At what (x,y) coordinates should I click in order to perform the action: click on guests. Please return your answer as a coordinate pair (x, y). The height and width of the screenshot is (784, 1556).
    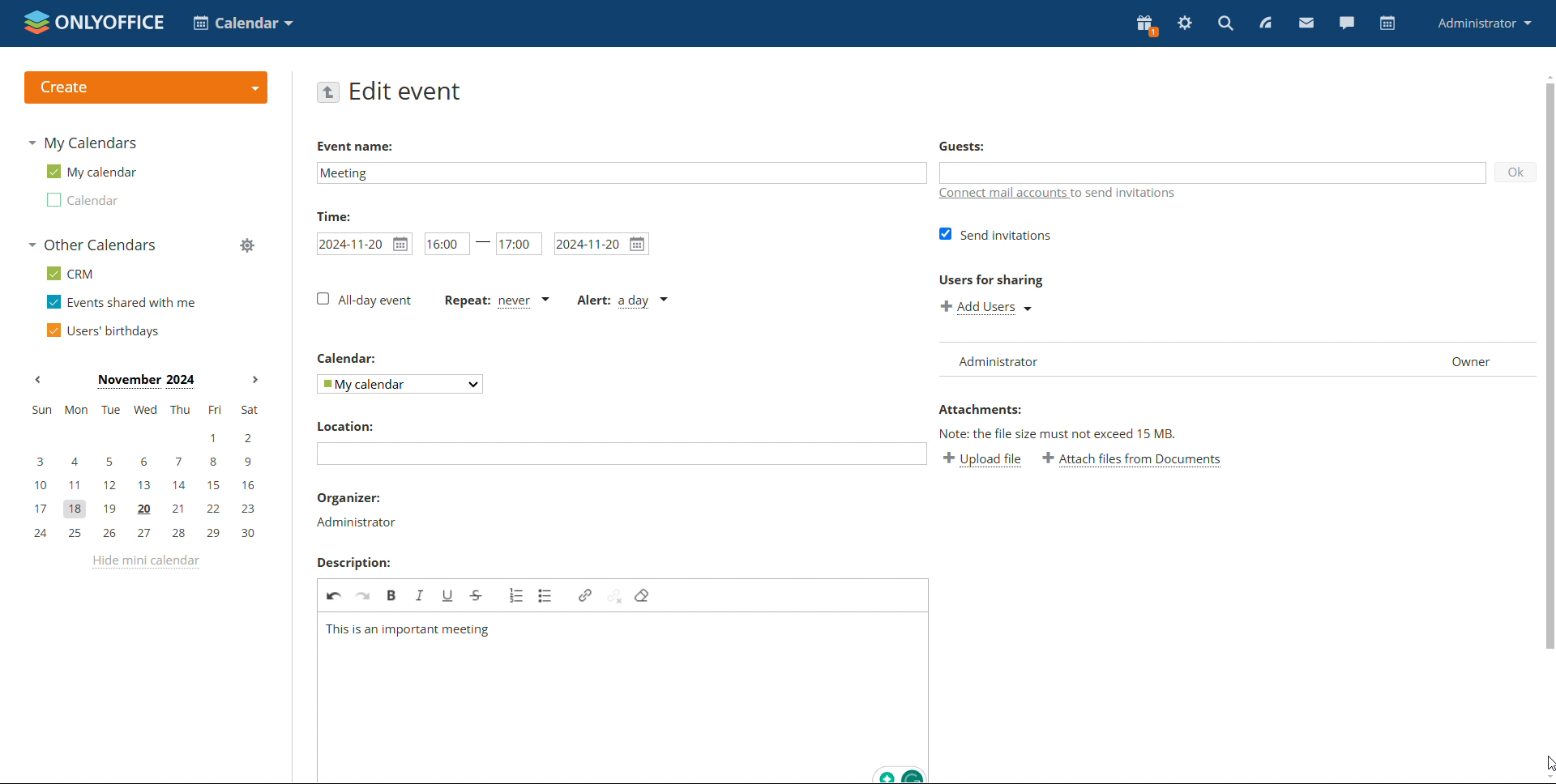
    Looking at the image, I should click on (961, 147).